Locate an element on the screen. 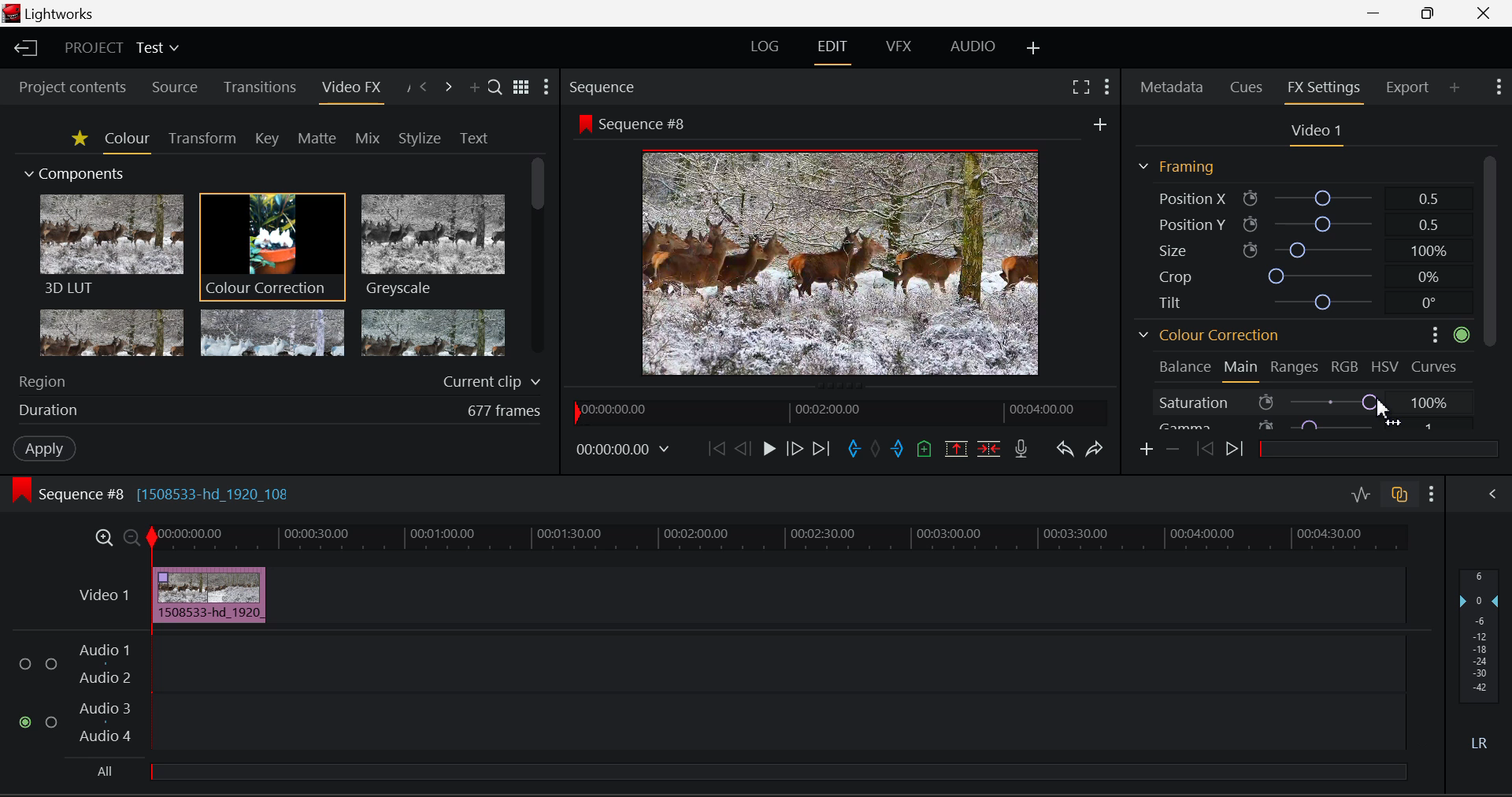 This screenshot has height=797, width=1512. Text is located at coordinates (474, 138).